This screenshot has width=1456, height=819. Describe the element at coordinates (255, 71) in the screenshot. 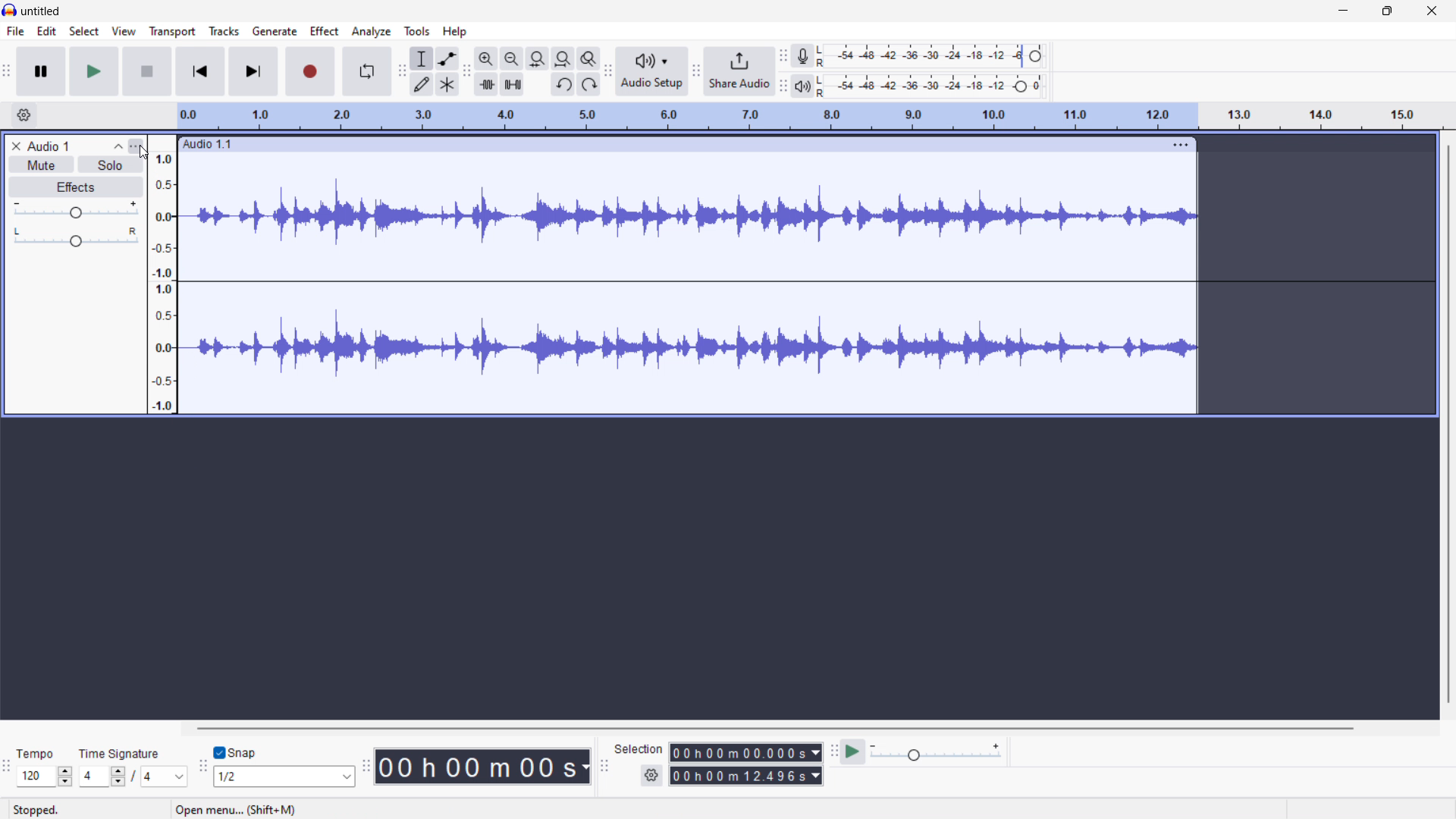

I see `skip to end` at that location.